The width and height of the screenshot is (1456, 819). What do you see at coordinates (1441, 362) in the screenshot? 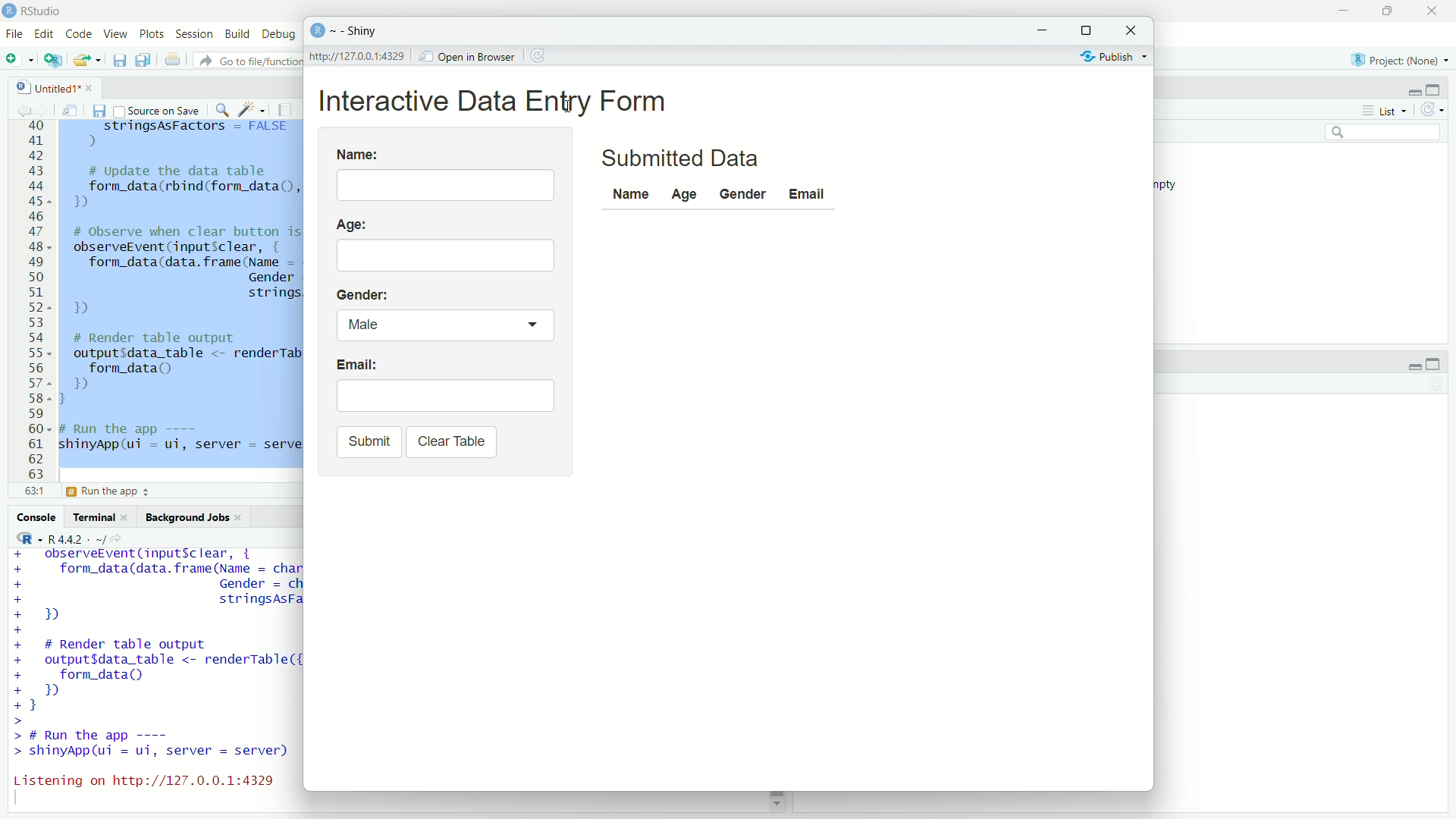
I see `maximize` at bounding box center [1441, 362].